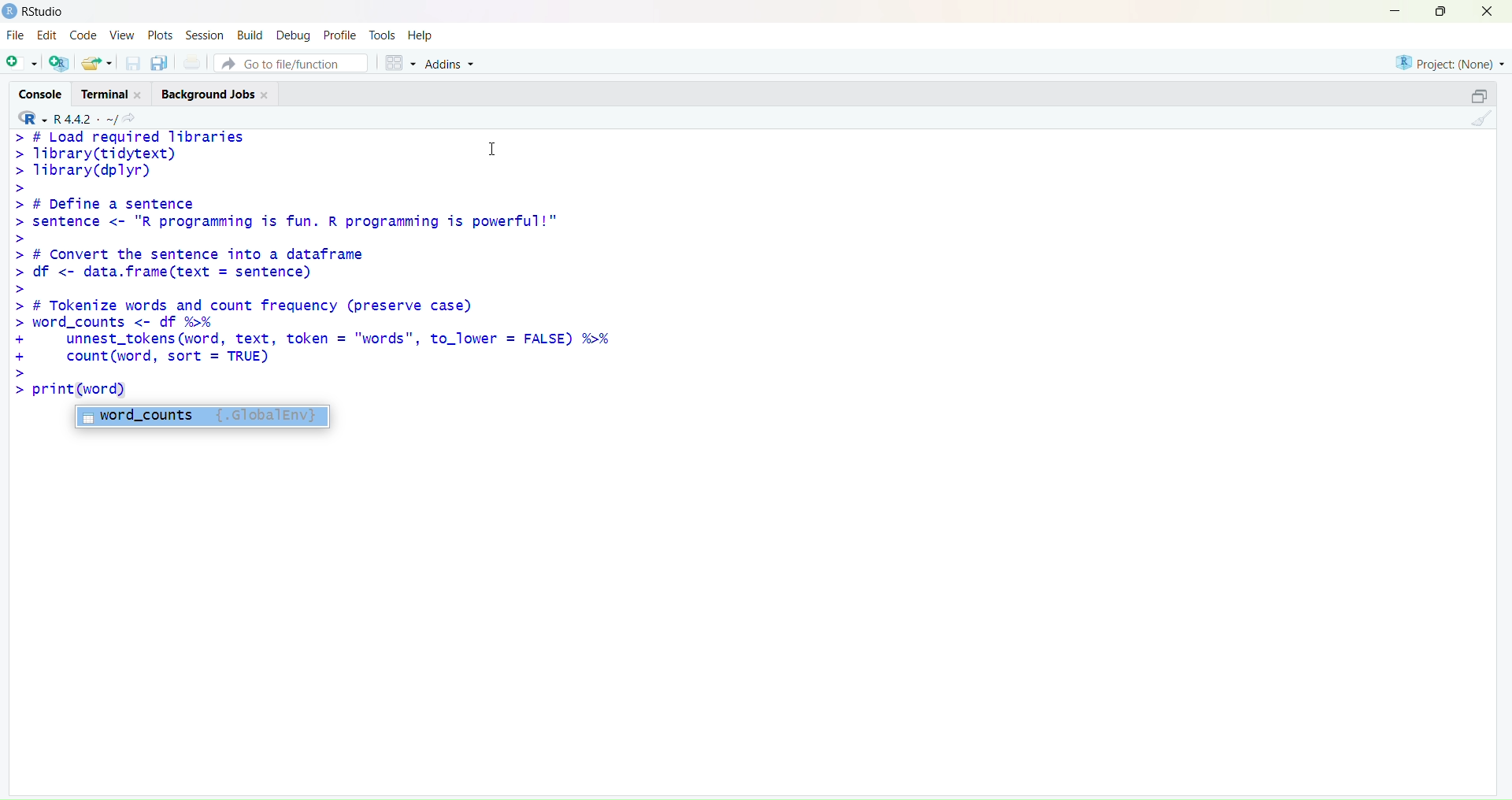 This screenshot has height=800, width=1512. Describe the element at coordinates (295, 35) in the screenshot. I see `debug` at that location.